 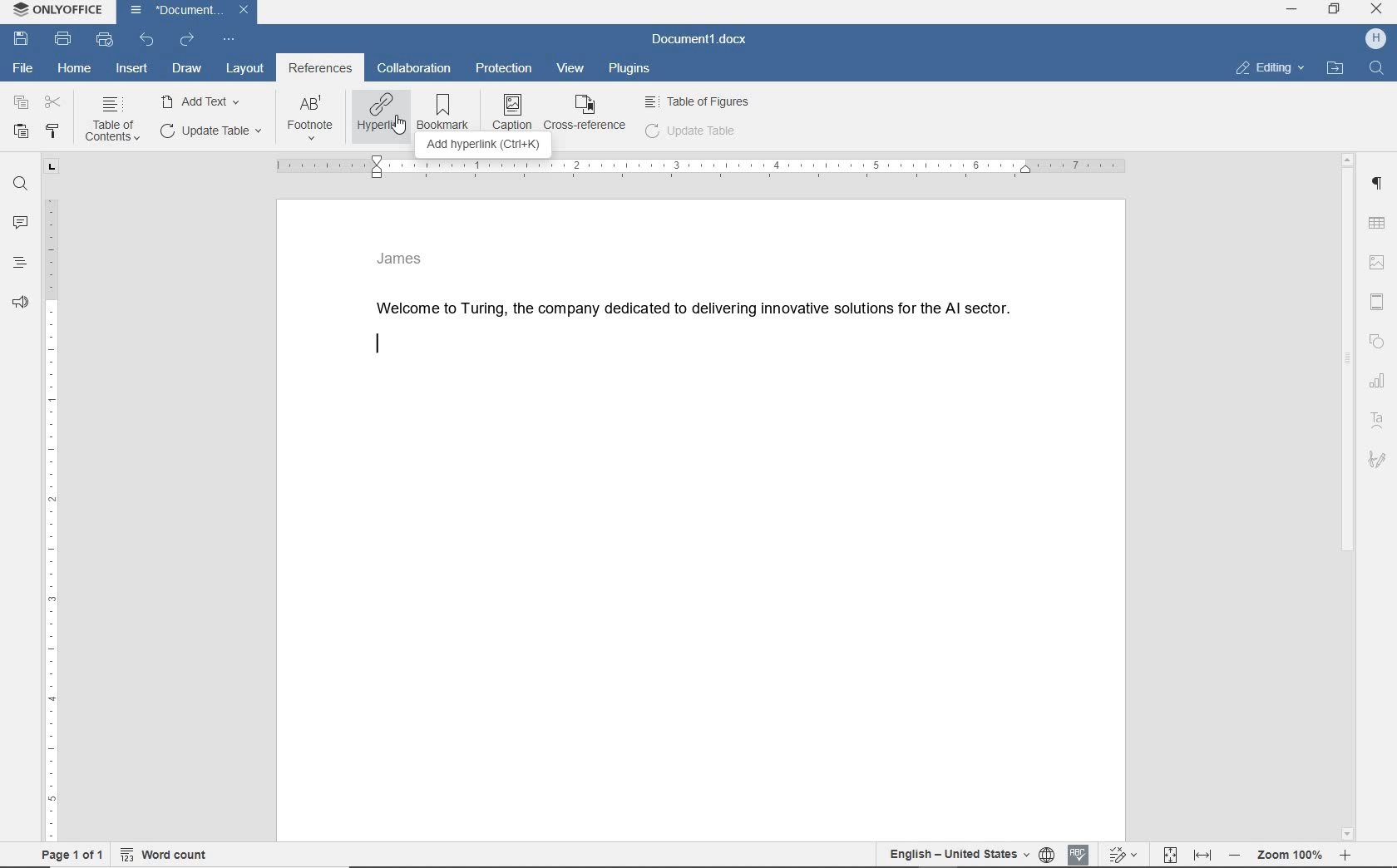 What do you see at coordinates (20, 38) in the screenshot?
I see `save` at bounding box center [20, 38].